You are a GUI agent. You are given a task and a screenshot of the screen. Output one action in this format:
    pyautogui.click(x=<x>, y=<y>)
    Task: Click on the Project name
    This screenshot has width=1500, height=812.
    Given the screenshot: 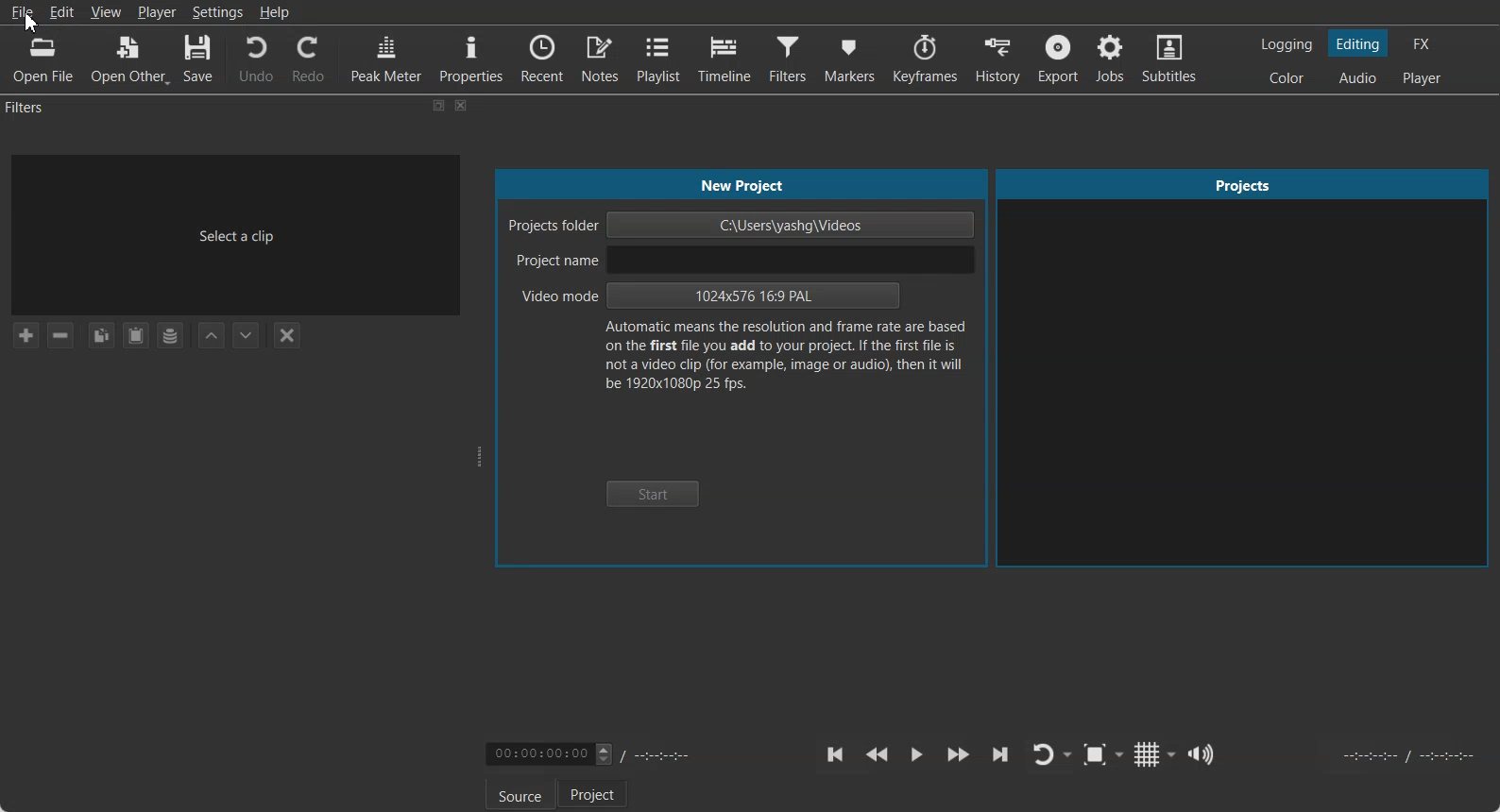 What is the action you would take?
    pyautogui.click(x=740, y=260)
    